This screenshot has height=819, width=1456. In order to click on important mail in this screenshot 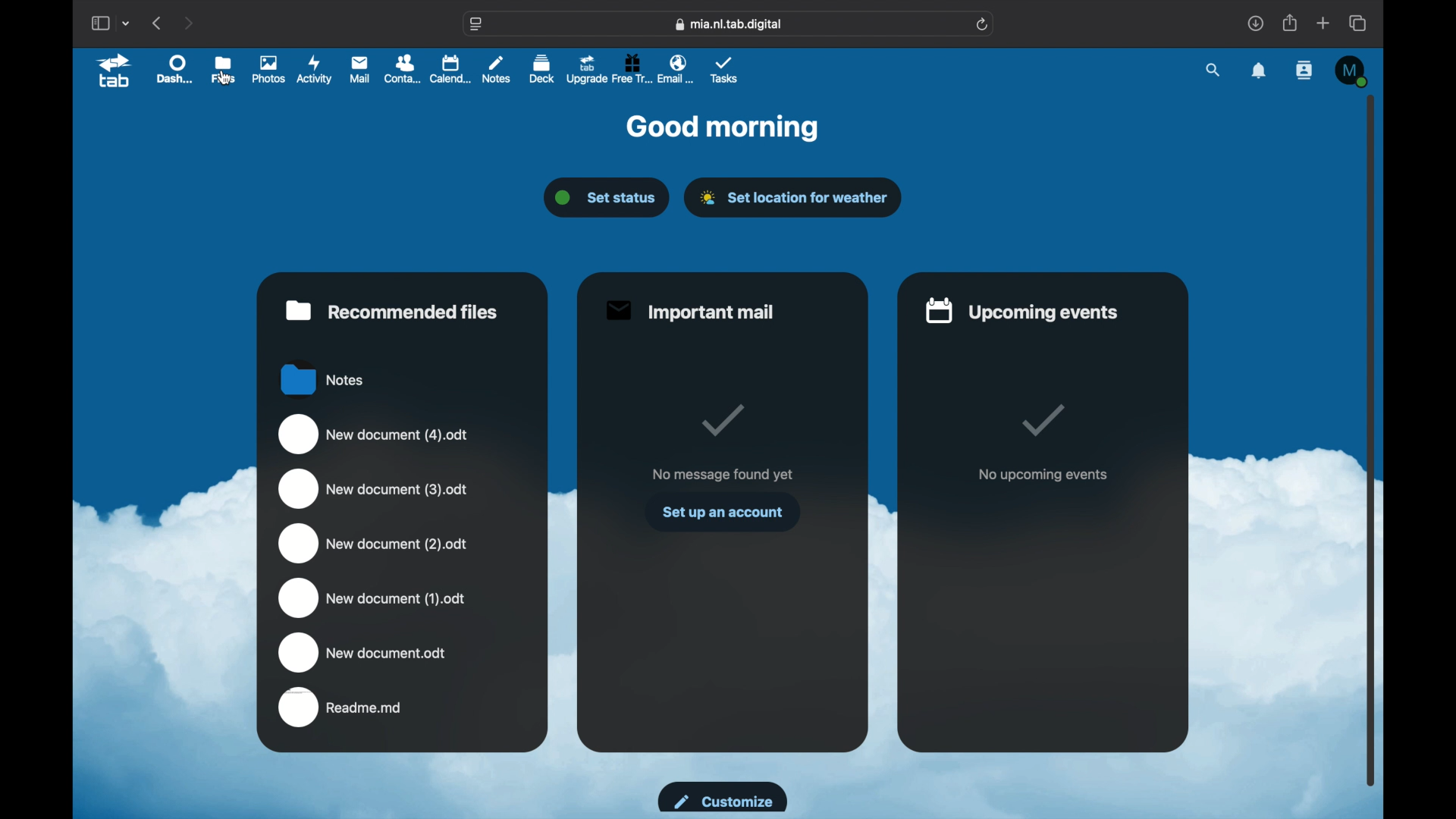, I will do `click(690, 311)`.